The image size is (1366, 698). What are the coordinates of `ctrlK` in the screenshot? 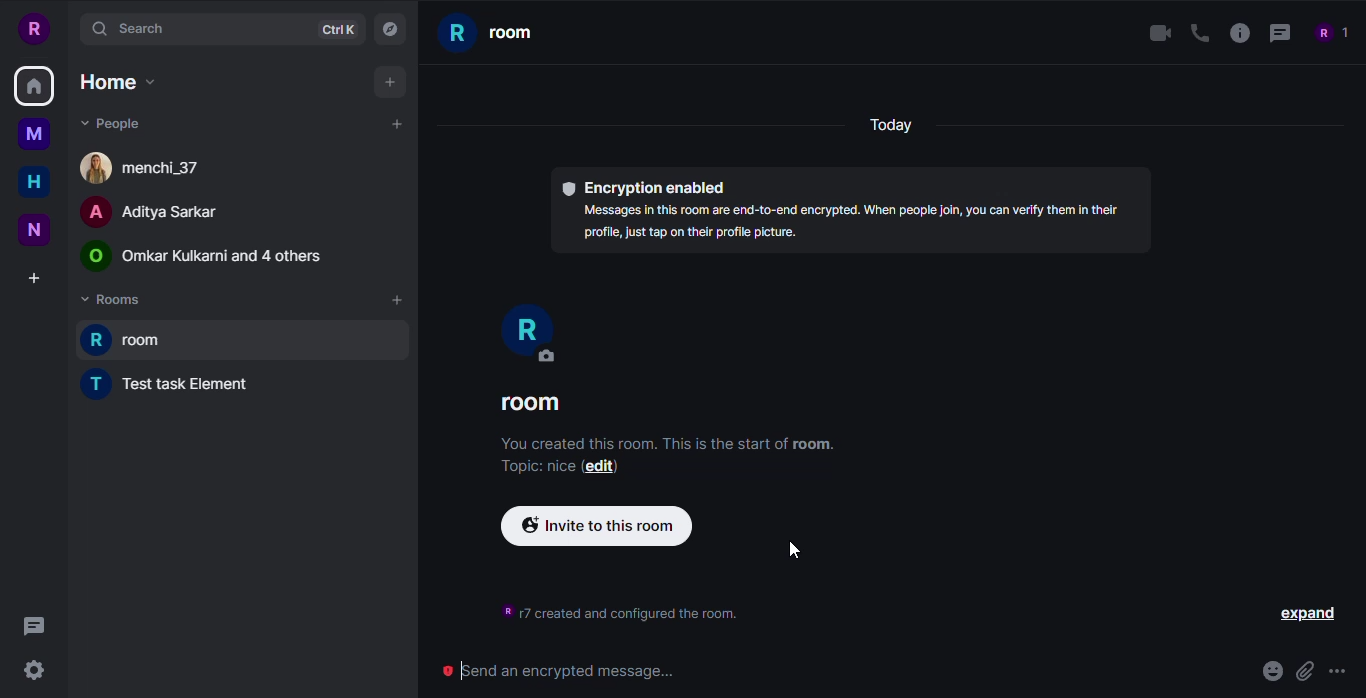 It's located at (337, 31).